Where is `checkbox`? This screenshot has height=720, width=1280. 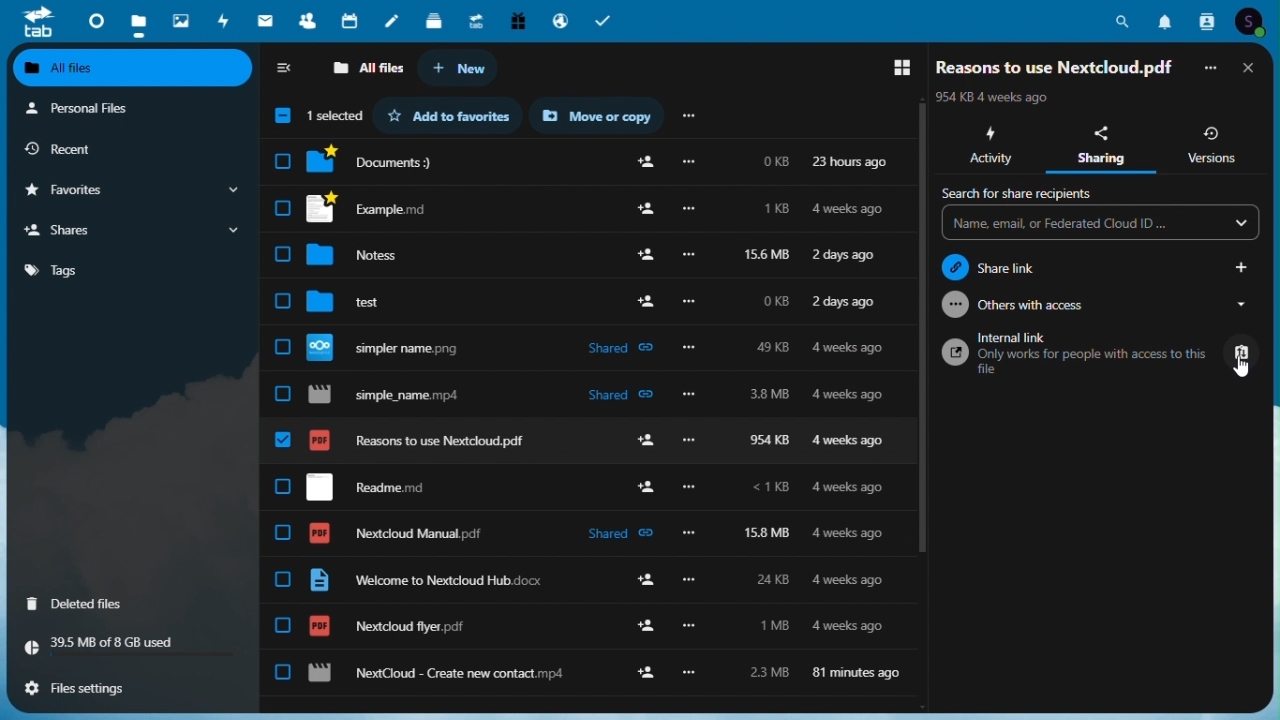 checkbox is located at coordinates (283, 626).